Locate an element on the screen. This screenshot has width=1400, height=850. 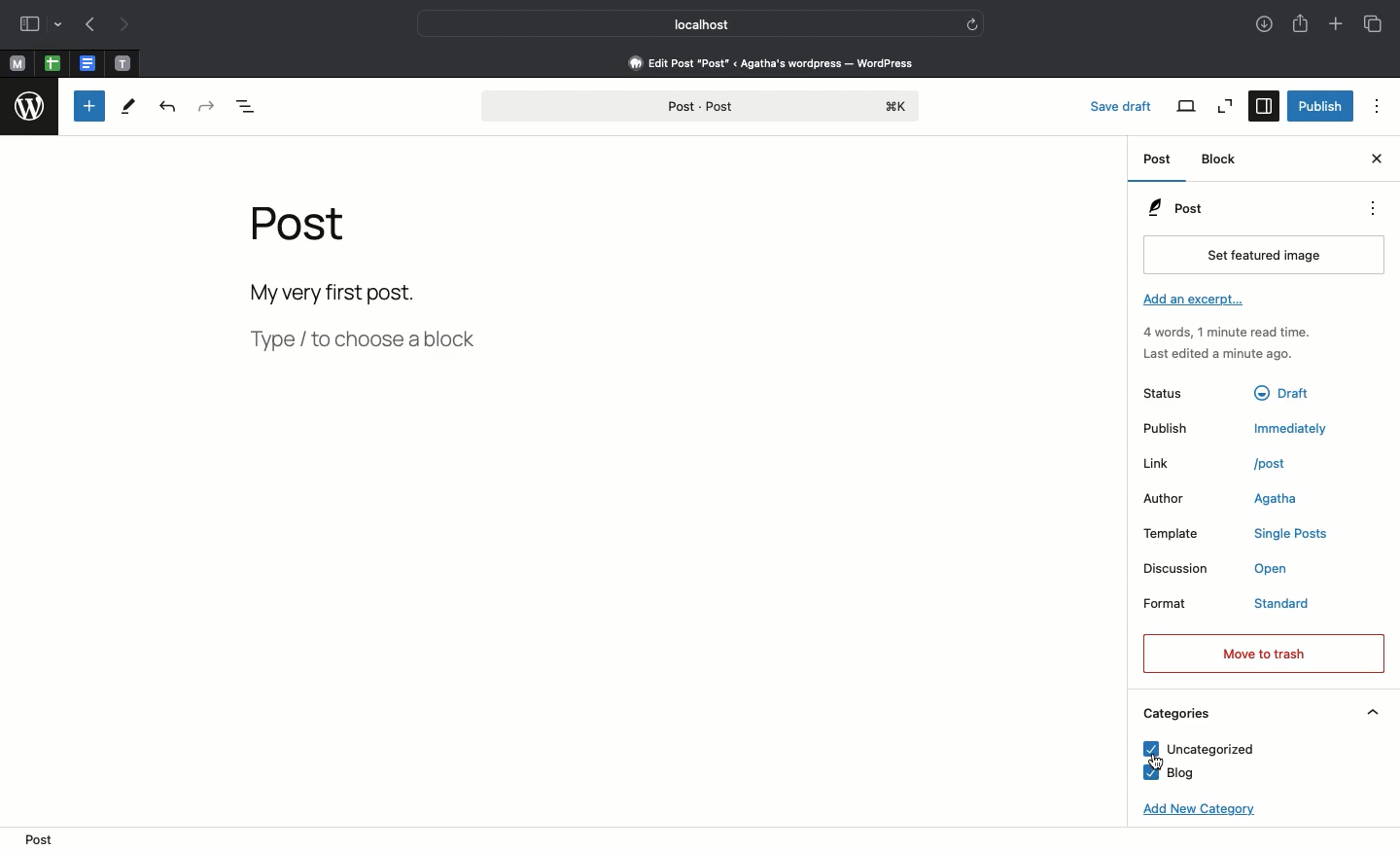
Set featured image is located at coordinates (1259, 256).